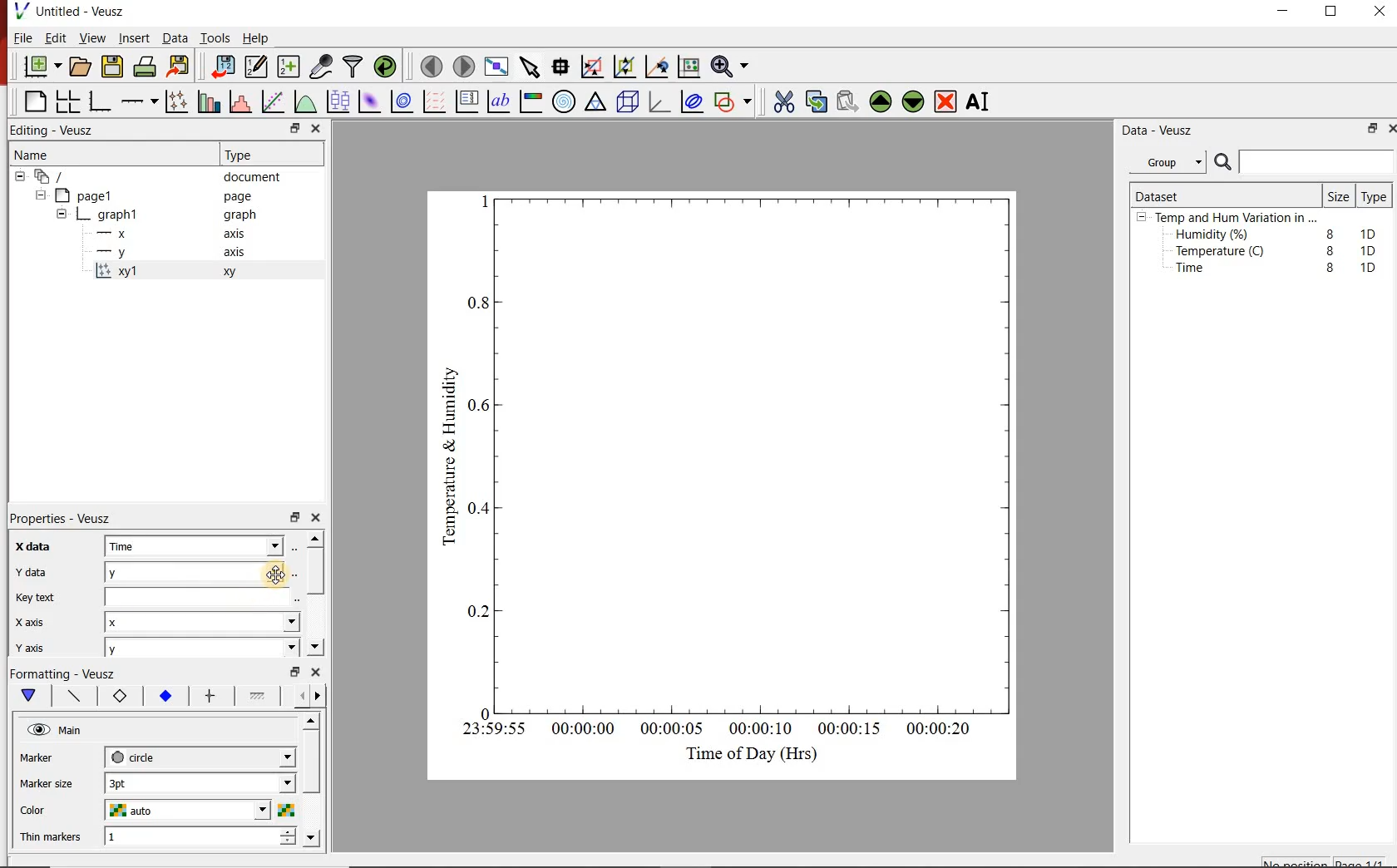 This screenshot has width=1397, height=868. I want to click on plot bar charts, so click(210, 99).